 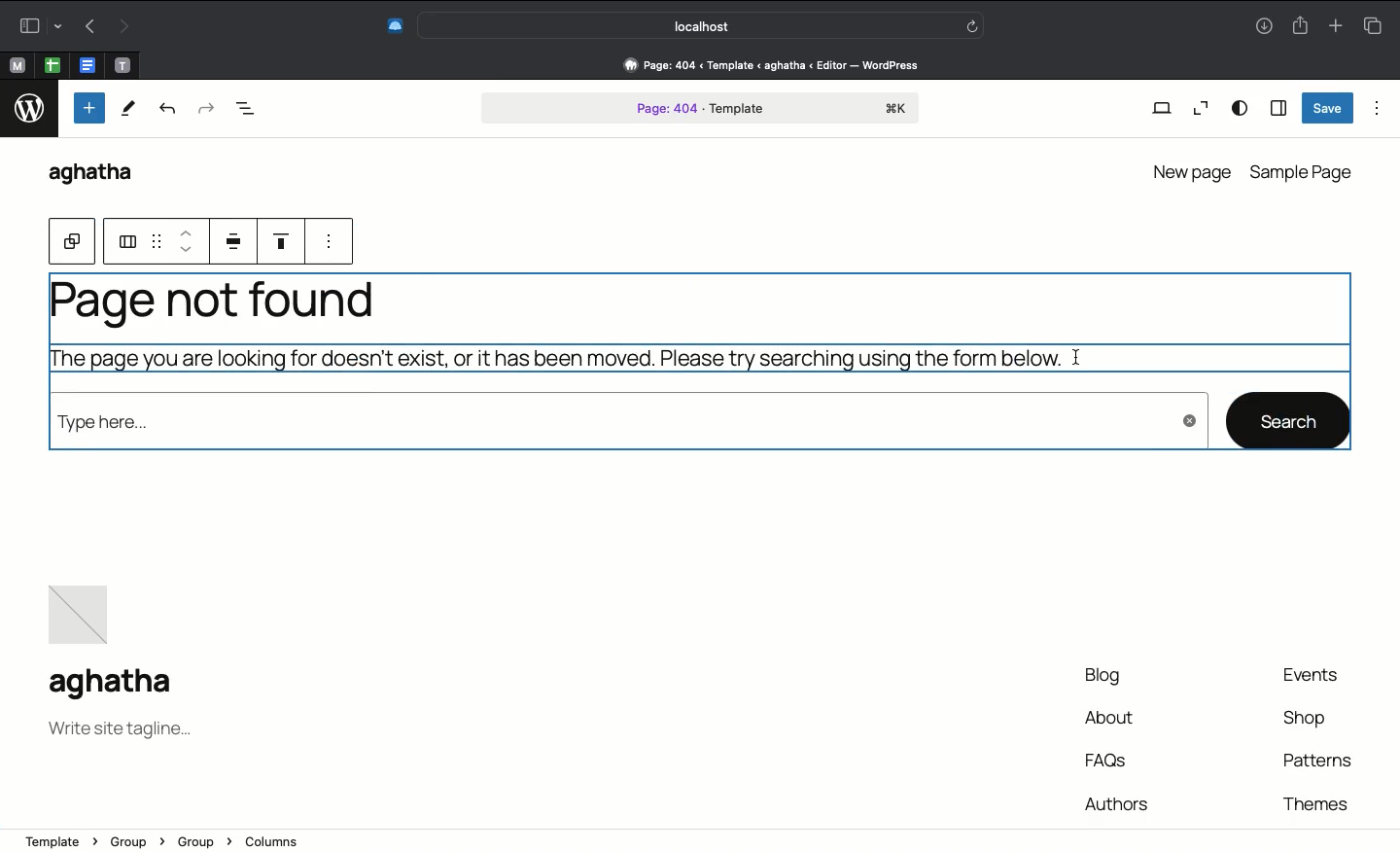 What do you see at coordinates (122, 27) in the screenshot?
I see `Redo` at bounding box center [122, 27].